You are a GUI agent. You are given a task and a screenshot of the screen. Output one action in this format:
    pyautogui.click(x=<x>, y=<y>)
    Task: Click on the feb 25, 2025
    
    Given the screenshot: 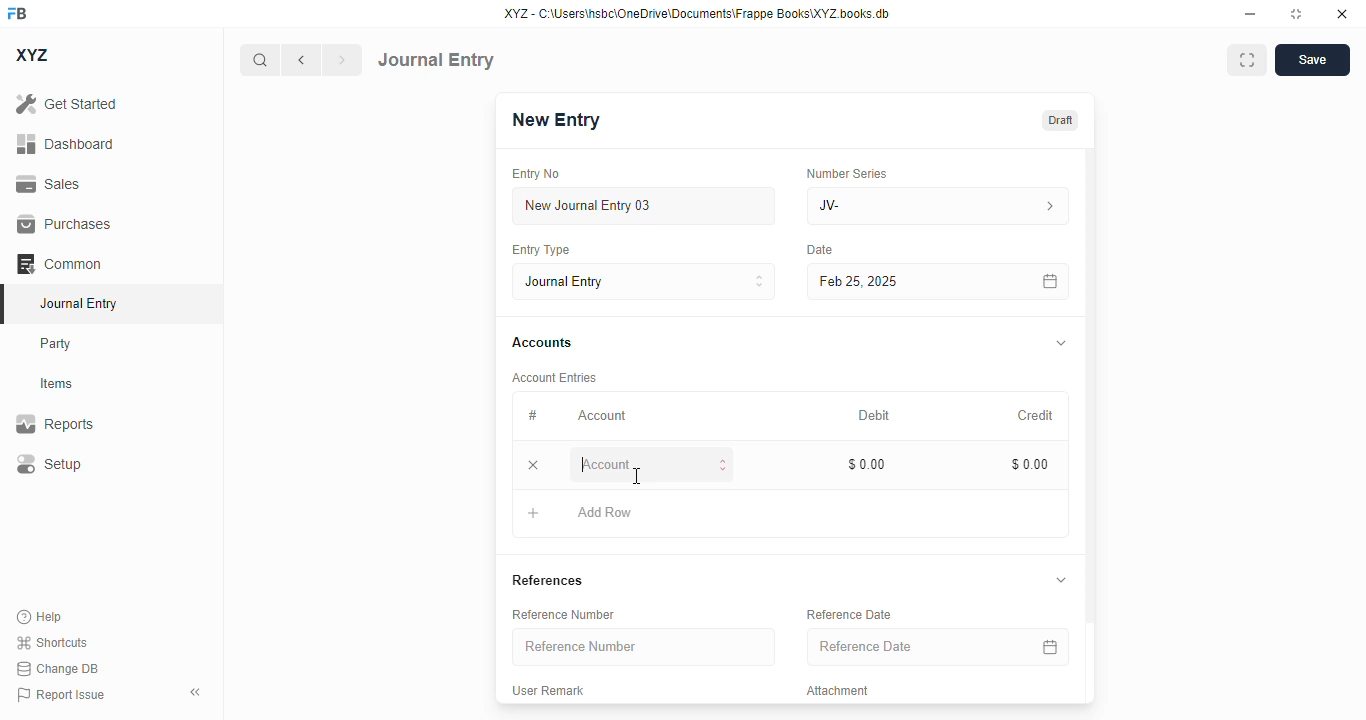 What is the action you would take?
    pyautogui.click(x=910, y=282)
    